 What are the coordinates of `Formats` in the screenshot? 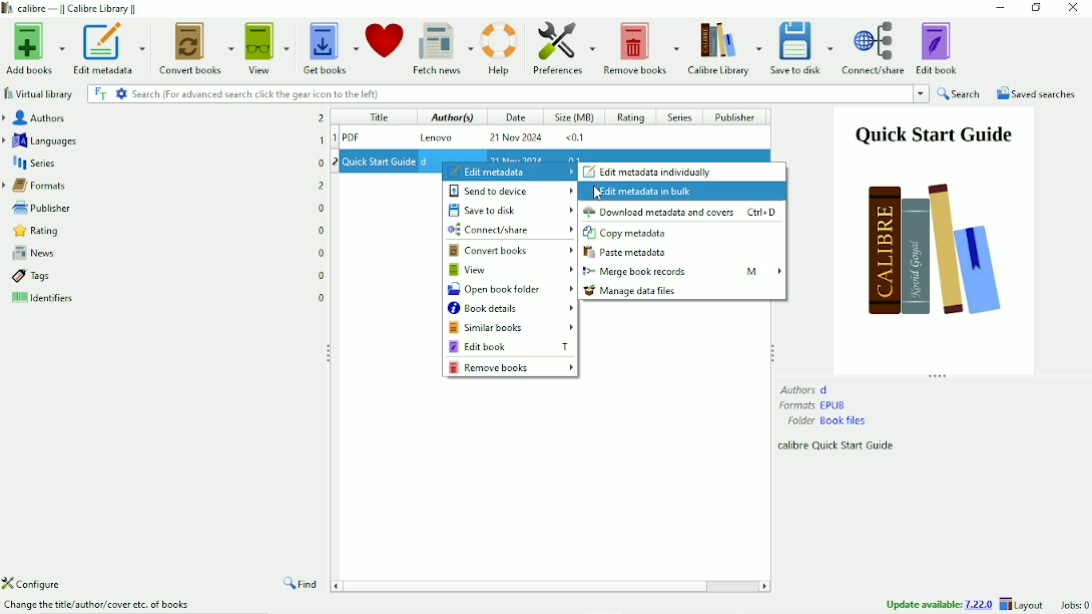 It's located at (164, 184).